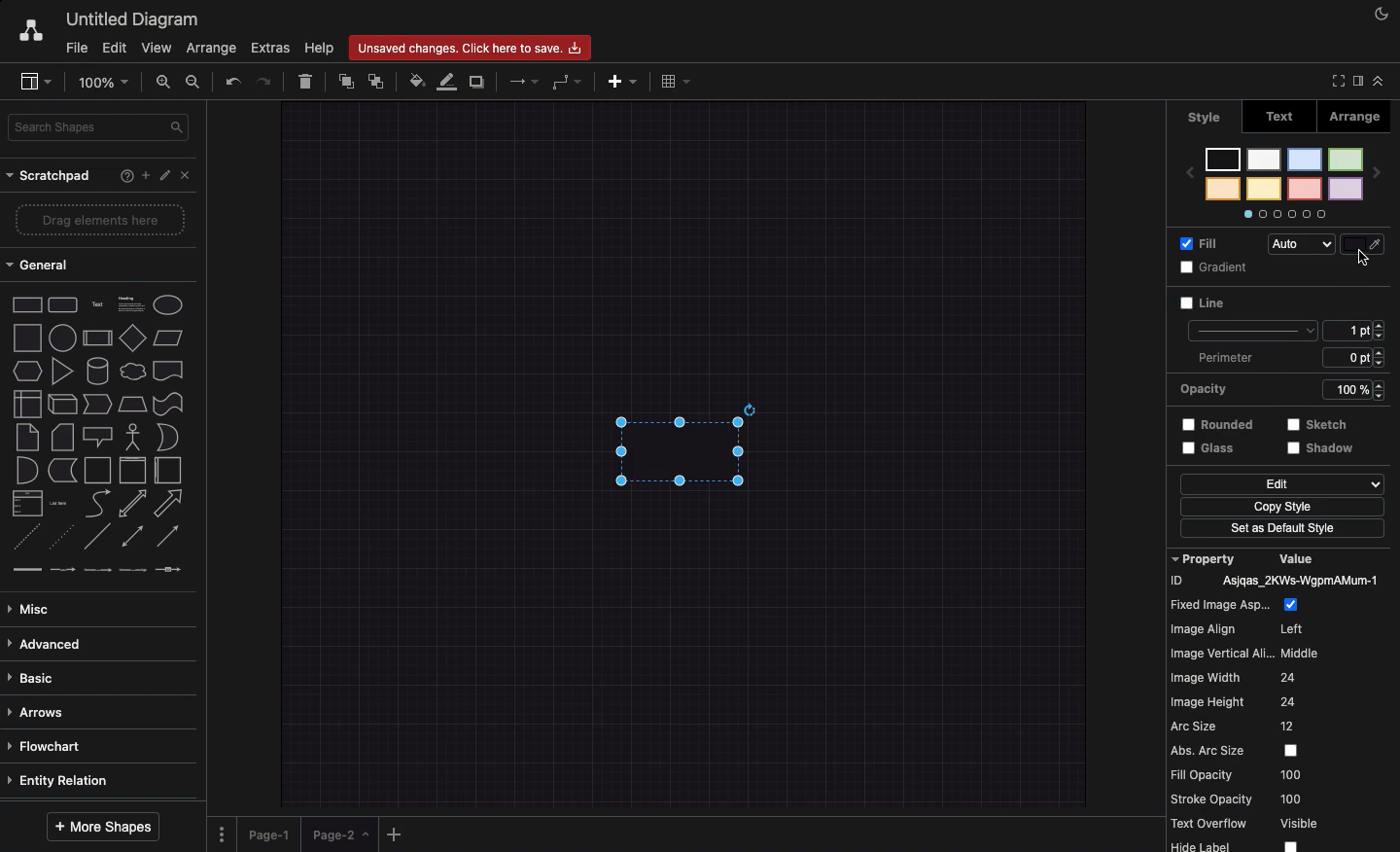 The height and width of the screenshot is (852, 1400). What do you see at coordinates (166, 471) in the screenshot?
I see `horizontal container` at bounding box center [166, 471].